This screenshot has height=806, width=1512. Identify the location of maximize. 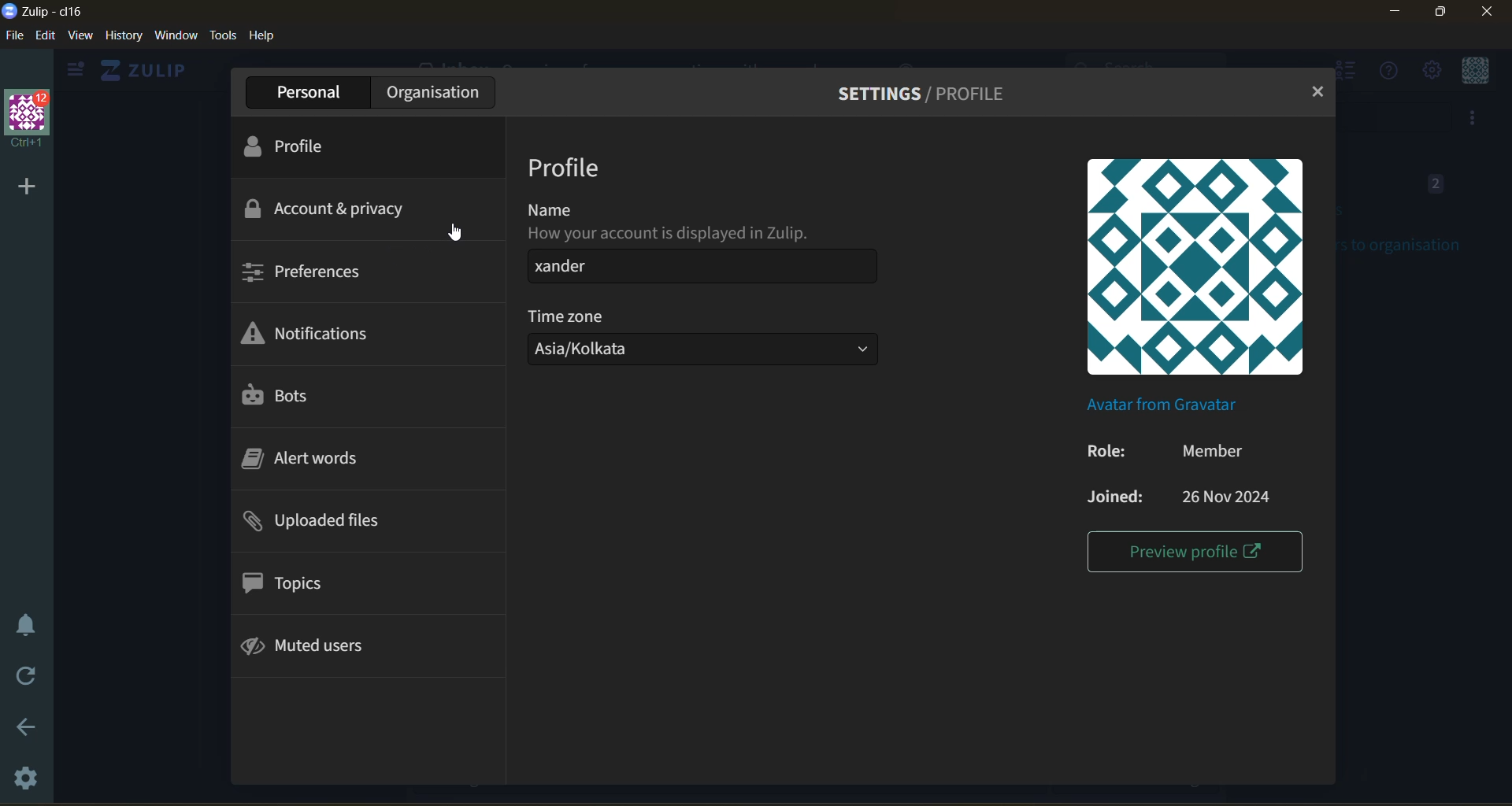
(1437, 14).